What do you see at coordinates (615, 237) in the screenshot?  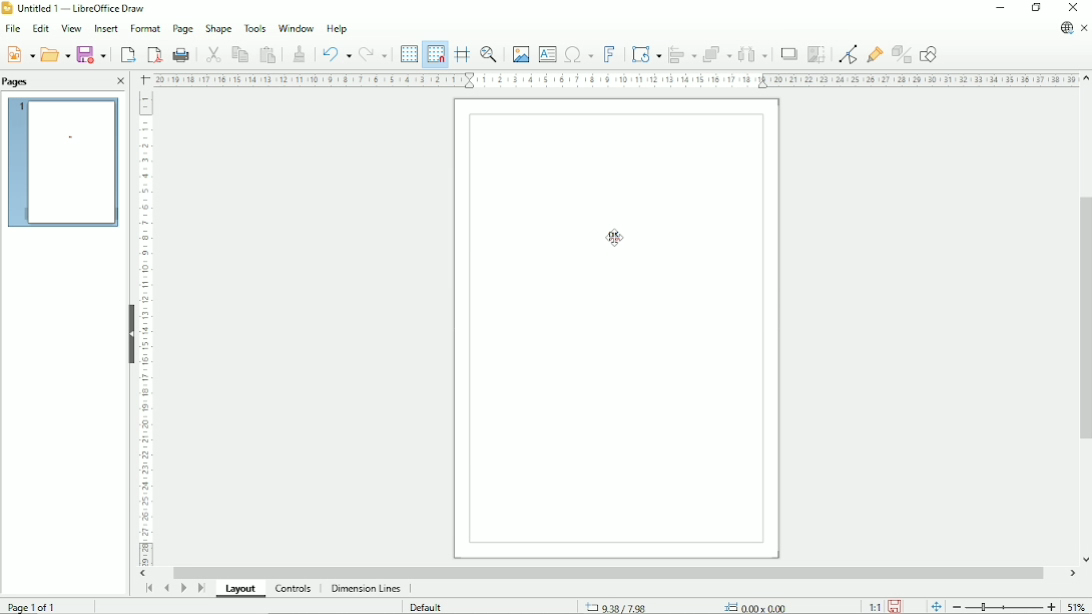 I see `Text box` at bounding box center [615, 237].